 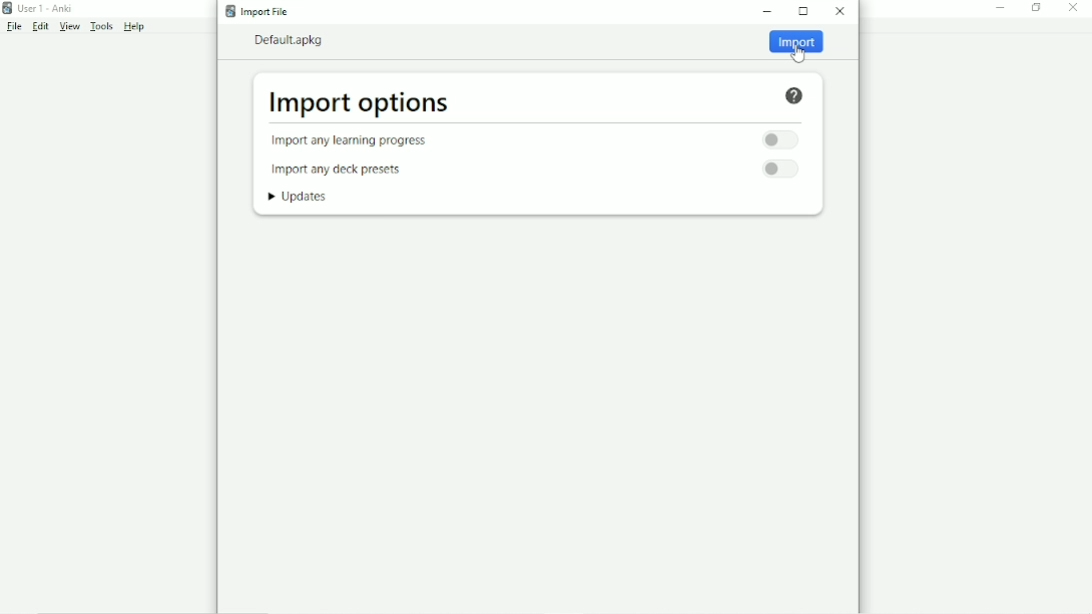 What do you see at coordinates (302, 197) in the screenshot?
I see `Updates` at bounding box center [302, 197].